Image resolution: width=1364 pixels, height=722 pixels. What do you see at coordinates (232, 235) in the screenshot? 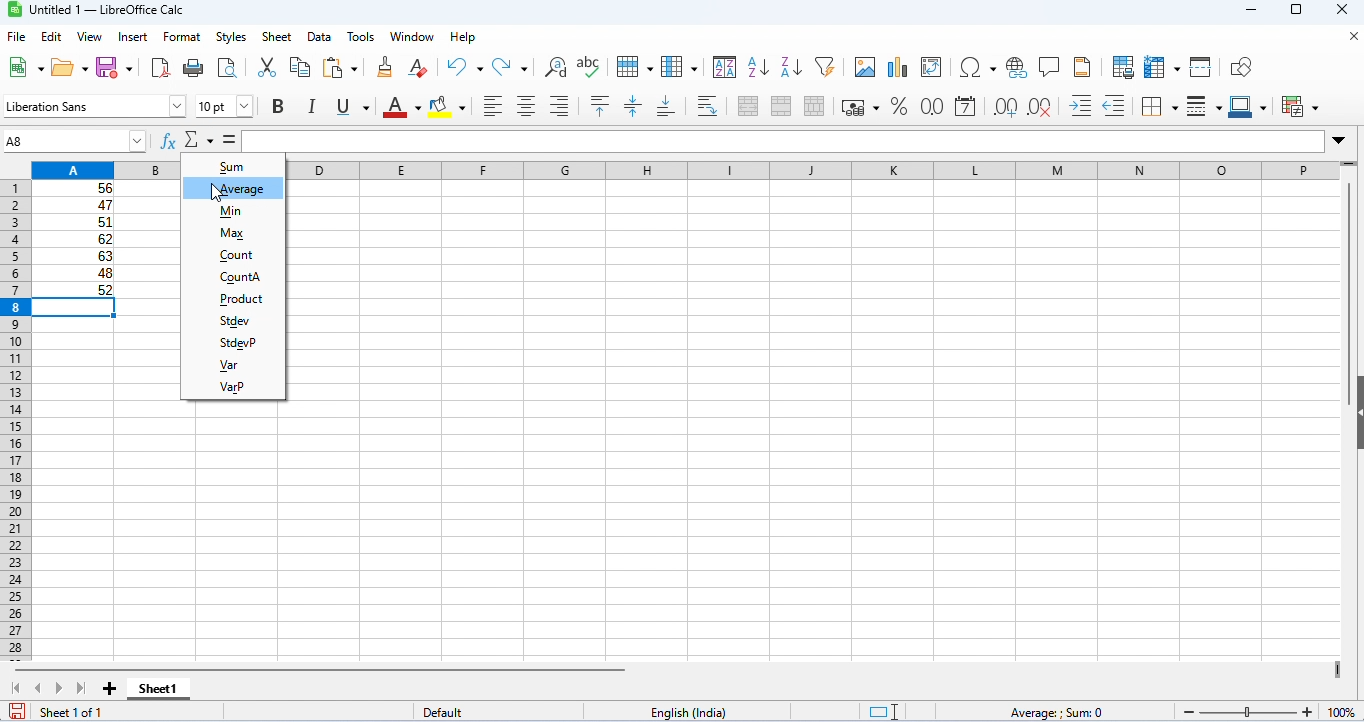
I see `max` at bounding box center [232, 235].